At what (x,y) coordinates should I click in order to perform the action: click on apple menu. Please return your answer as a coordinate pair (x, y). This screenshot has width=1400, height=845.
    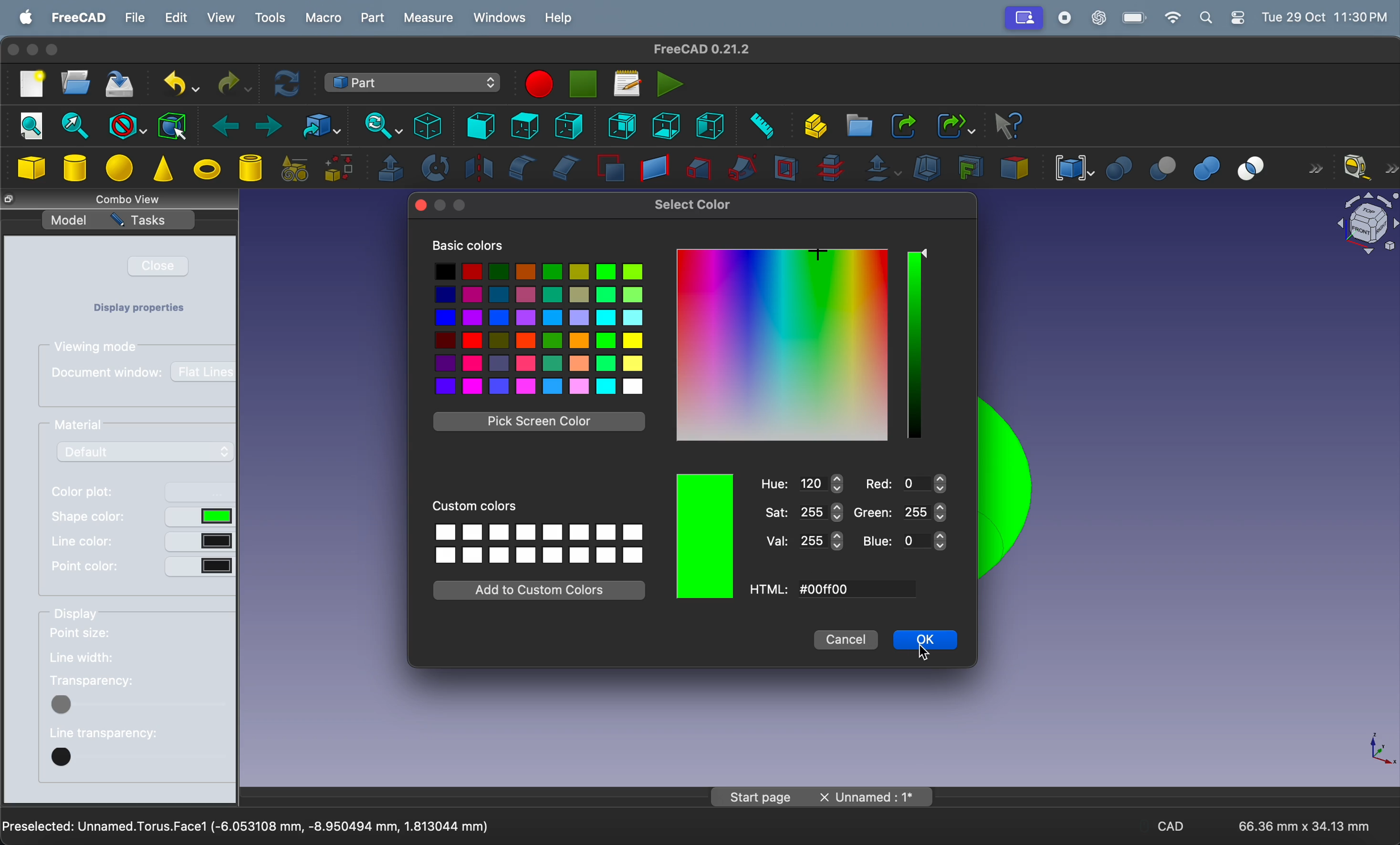
    Looking at the image, I should click on (22, 16).